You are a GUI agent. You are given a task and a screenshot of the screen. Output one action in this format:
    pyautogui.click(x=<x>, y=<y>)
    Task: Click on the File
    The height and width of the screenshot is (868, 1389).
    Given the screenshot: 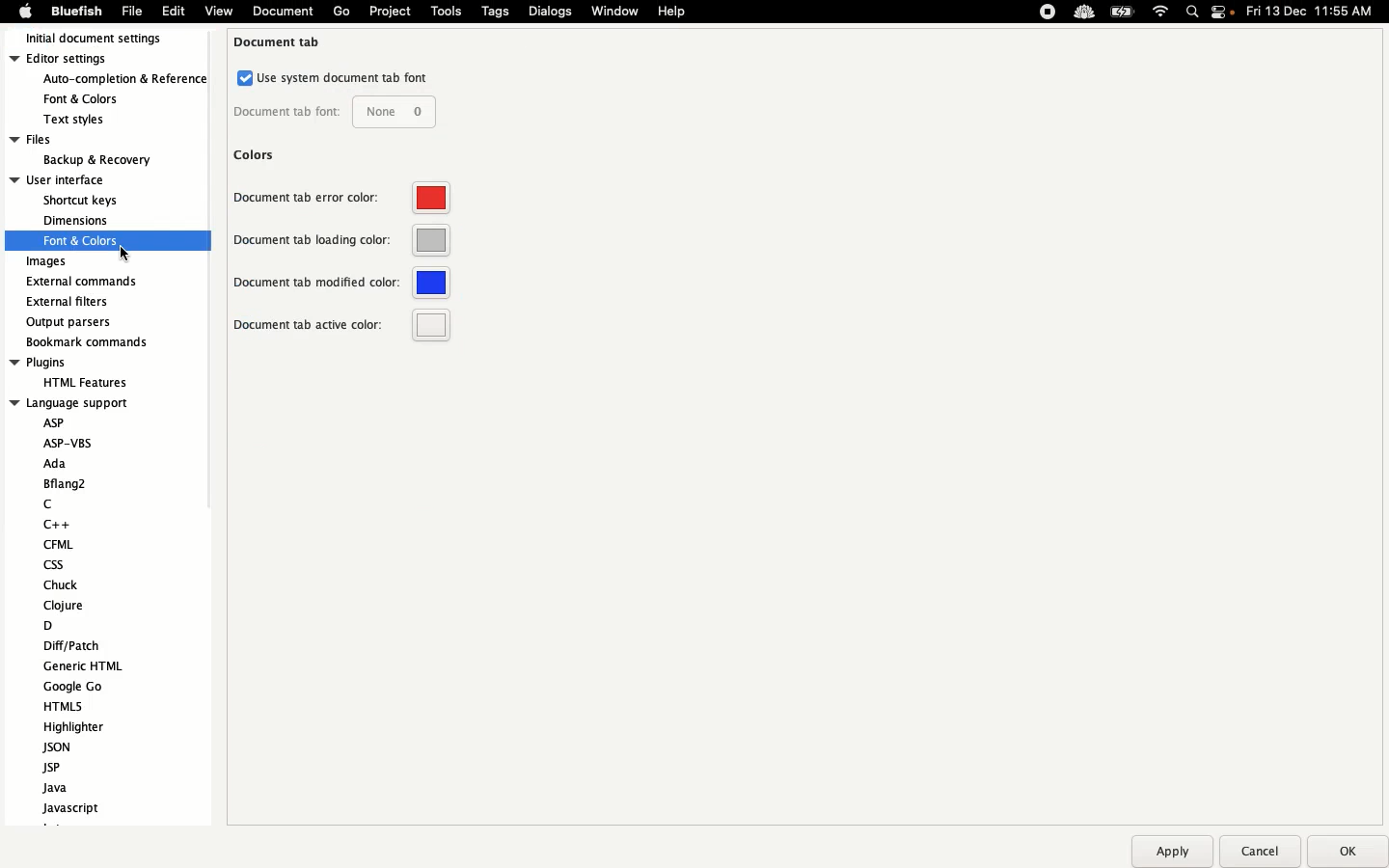 What is the action you would take?
    pyautogui.click(x=132, y=11)
    